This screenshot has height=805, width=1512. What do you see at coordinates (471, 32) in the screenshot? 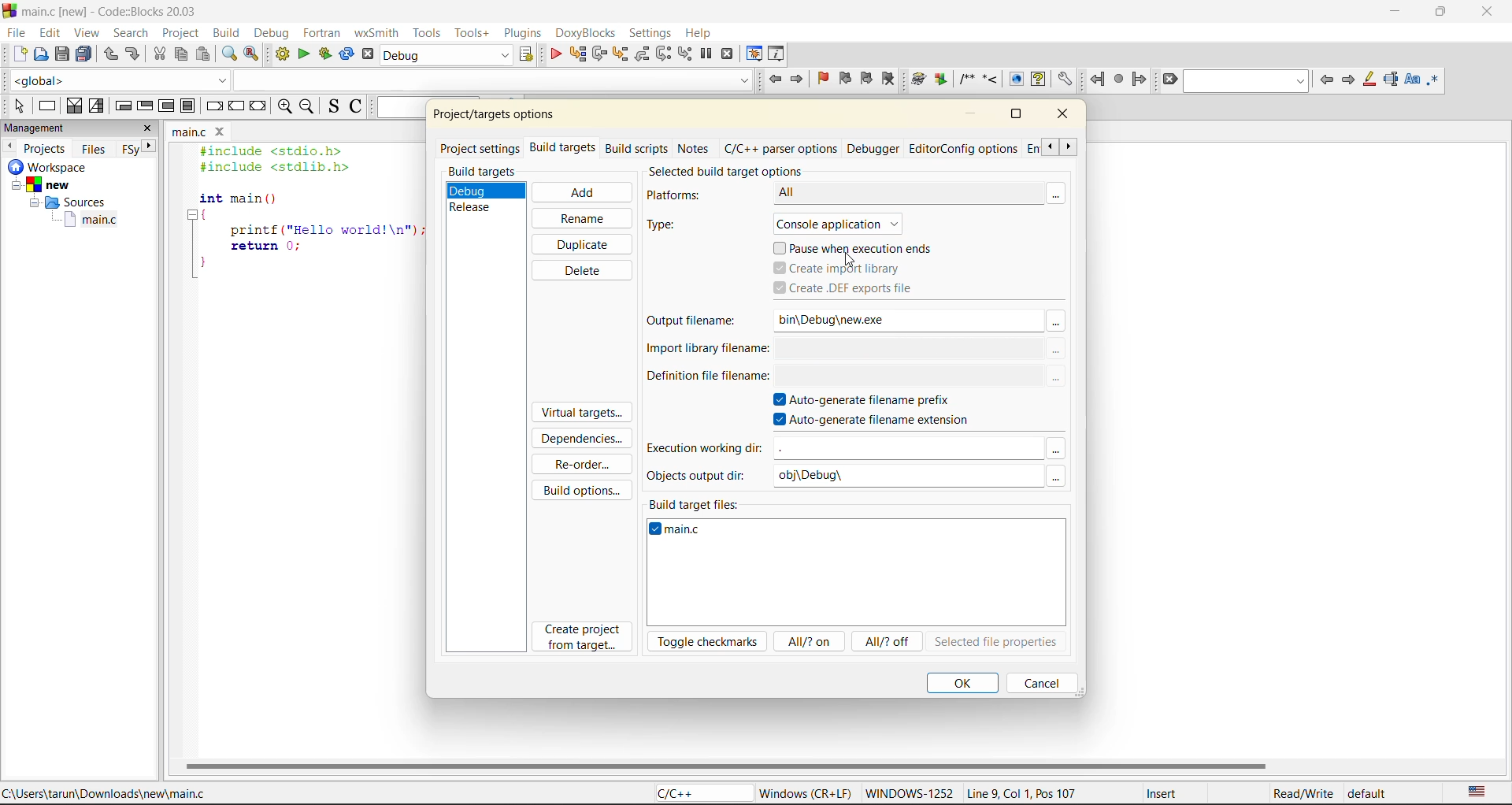
I see `tools+` at bounding box center [471, 32].